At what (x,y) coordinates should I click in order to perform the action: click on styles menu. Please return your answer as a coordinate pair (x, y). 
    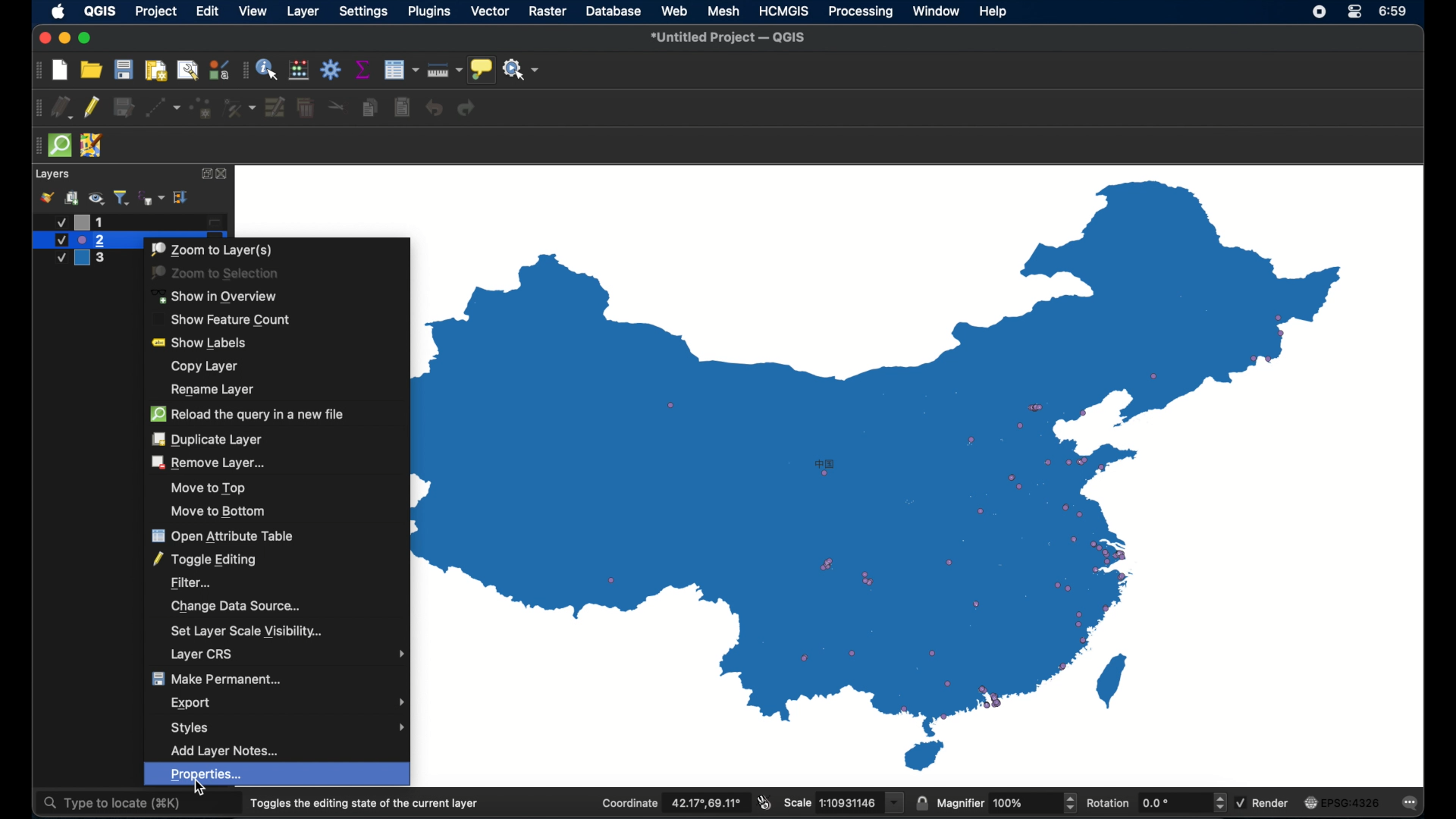
    Looking at the image, I should click on (288, 728).